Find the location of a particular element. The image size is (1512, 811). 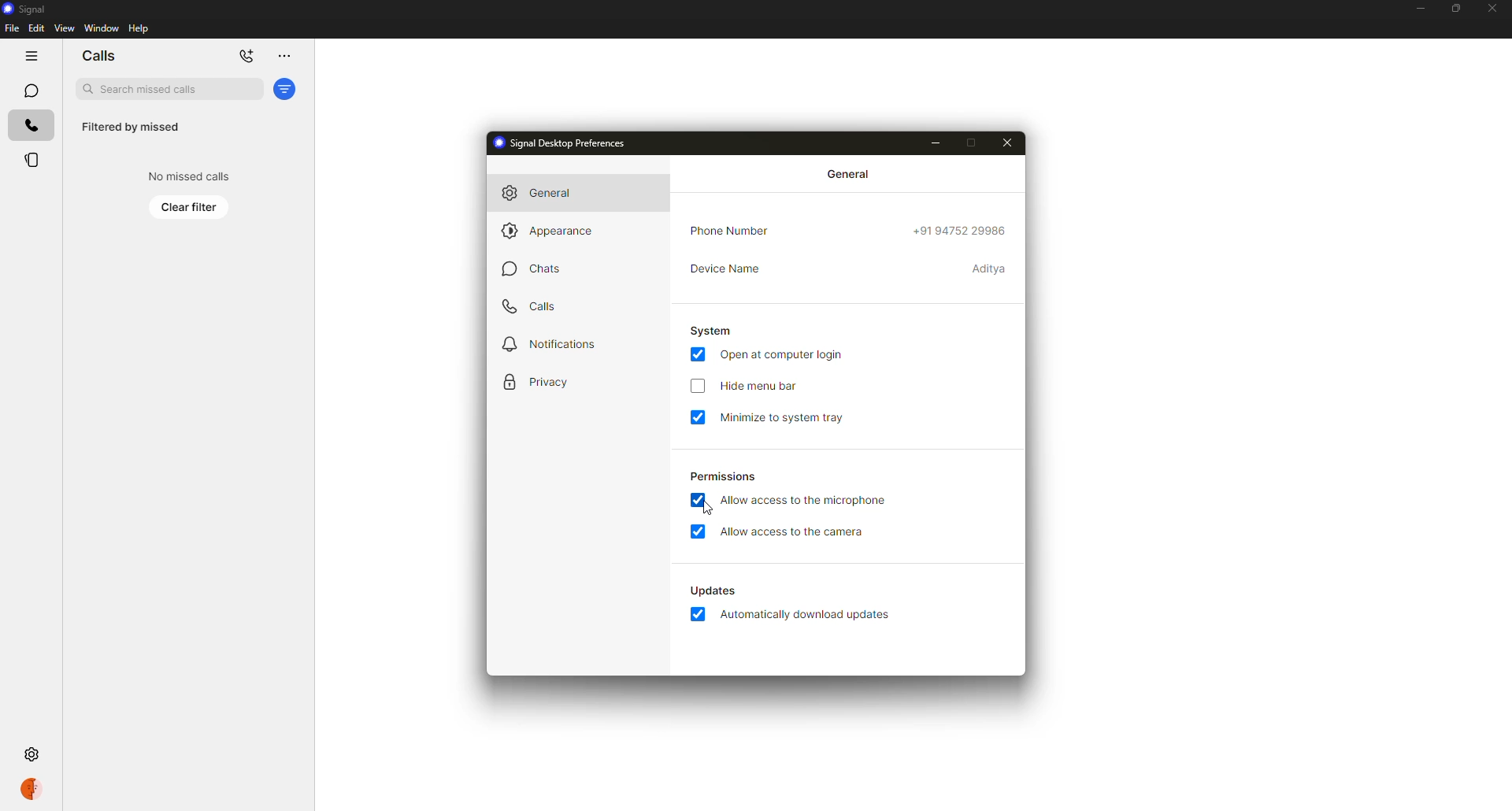

minimize is located at coordinates (932, 142).